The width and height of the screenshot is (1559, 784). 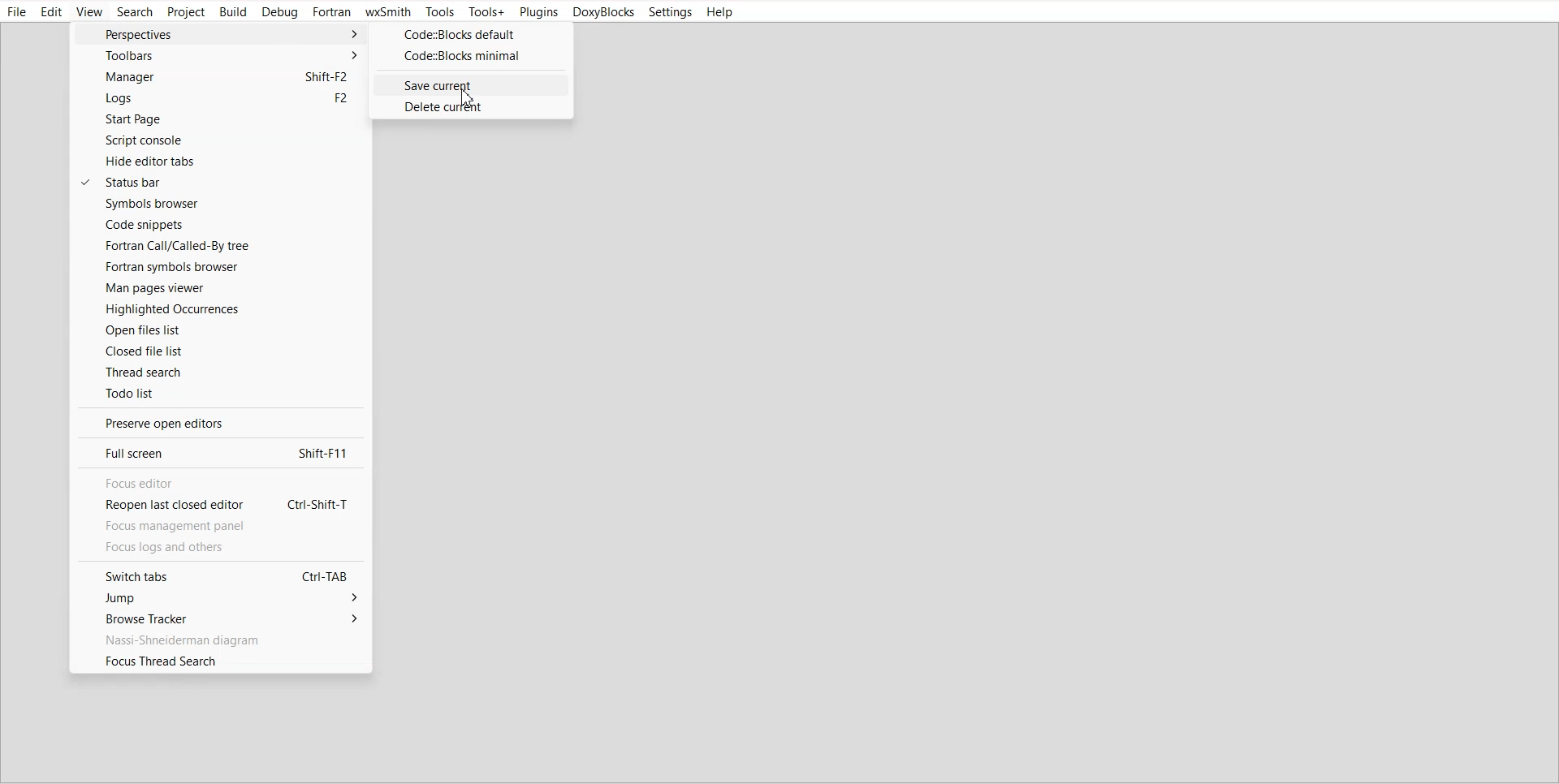 What do you see at coordinates (388, 12) in the screenshot?
I see `wxSmith` at bounding box center [388, 12].